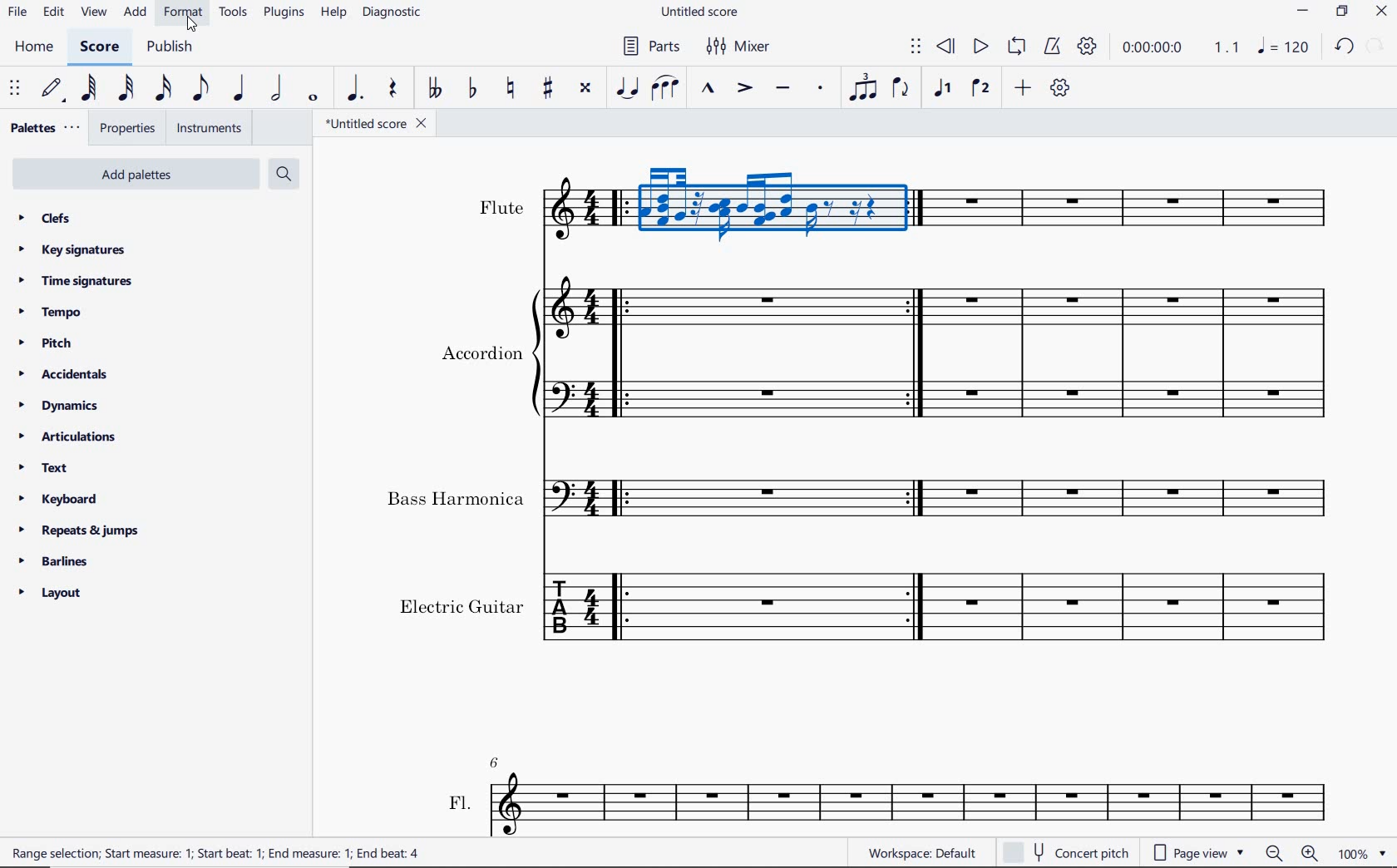 Image resolution: width=1397 pixels, height=868 pixels. What do you see at coordinates (165, 91) in the screenshot?
I see `16th note` at bounding box center [165, 91].